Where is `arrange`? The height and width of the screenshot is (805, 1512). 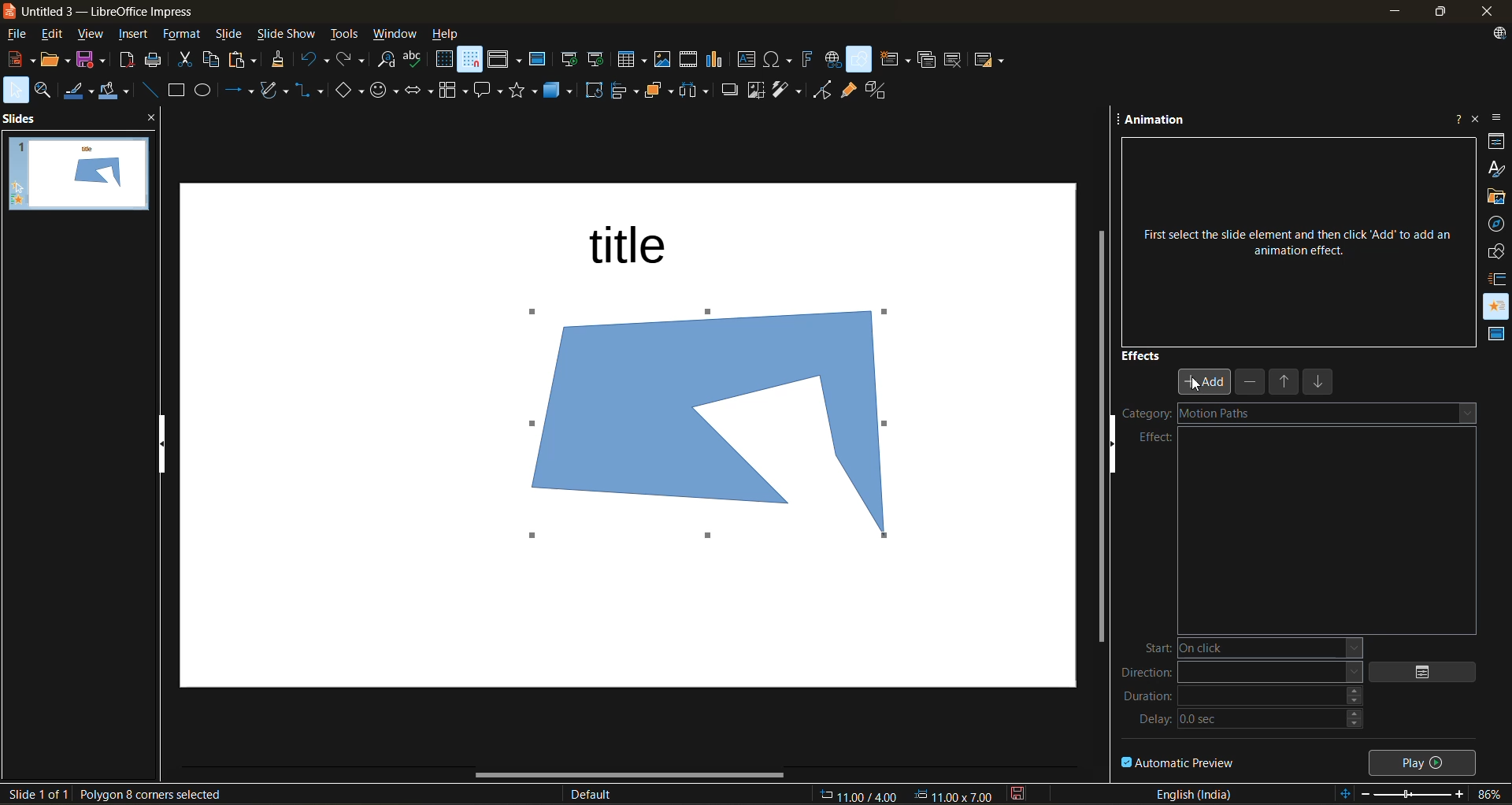 arrange is located at coordinates (654, 94).